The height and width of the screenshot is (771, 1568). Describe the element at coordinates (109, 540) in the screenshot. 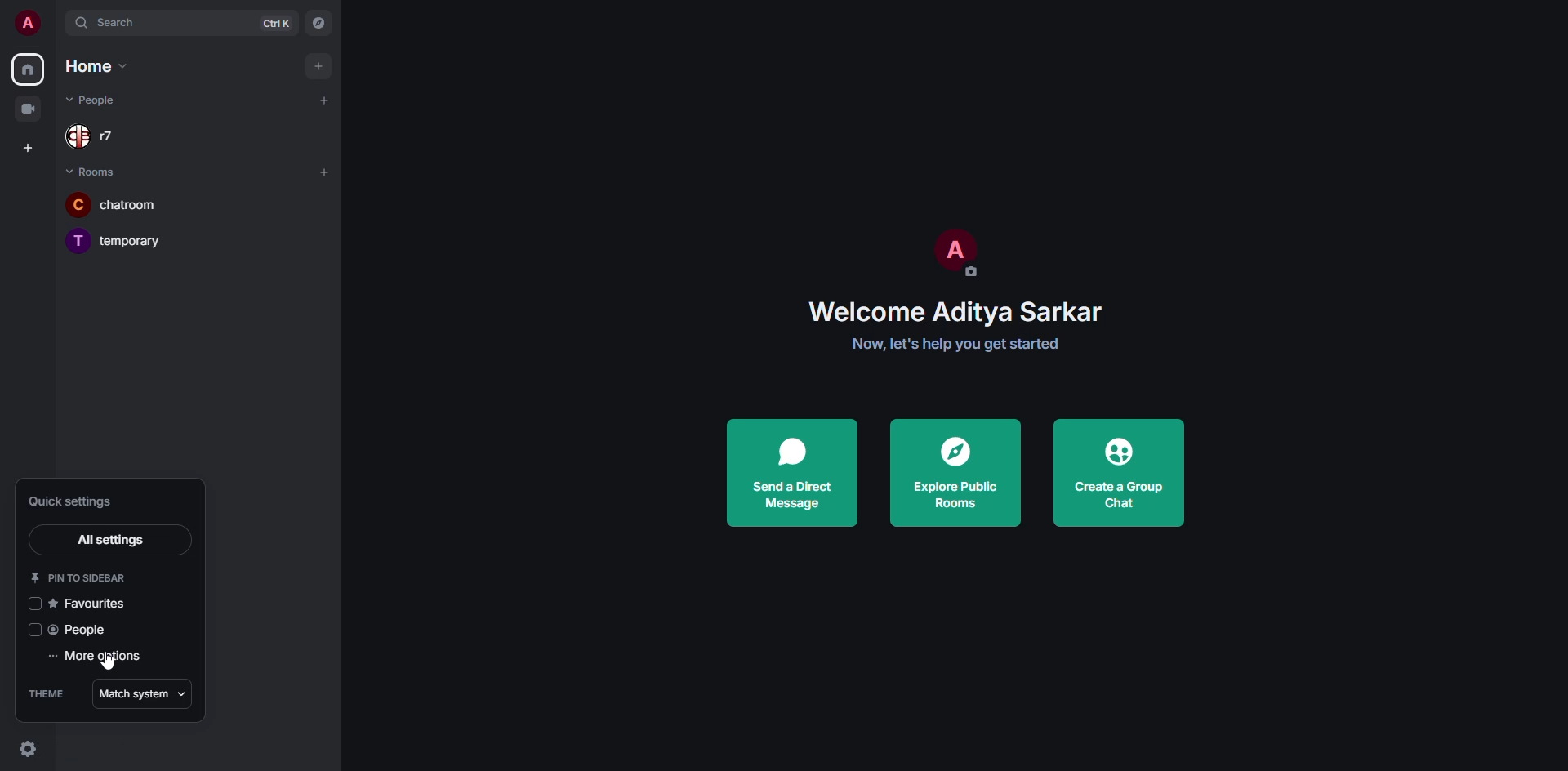

I see `all settings` at that location.